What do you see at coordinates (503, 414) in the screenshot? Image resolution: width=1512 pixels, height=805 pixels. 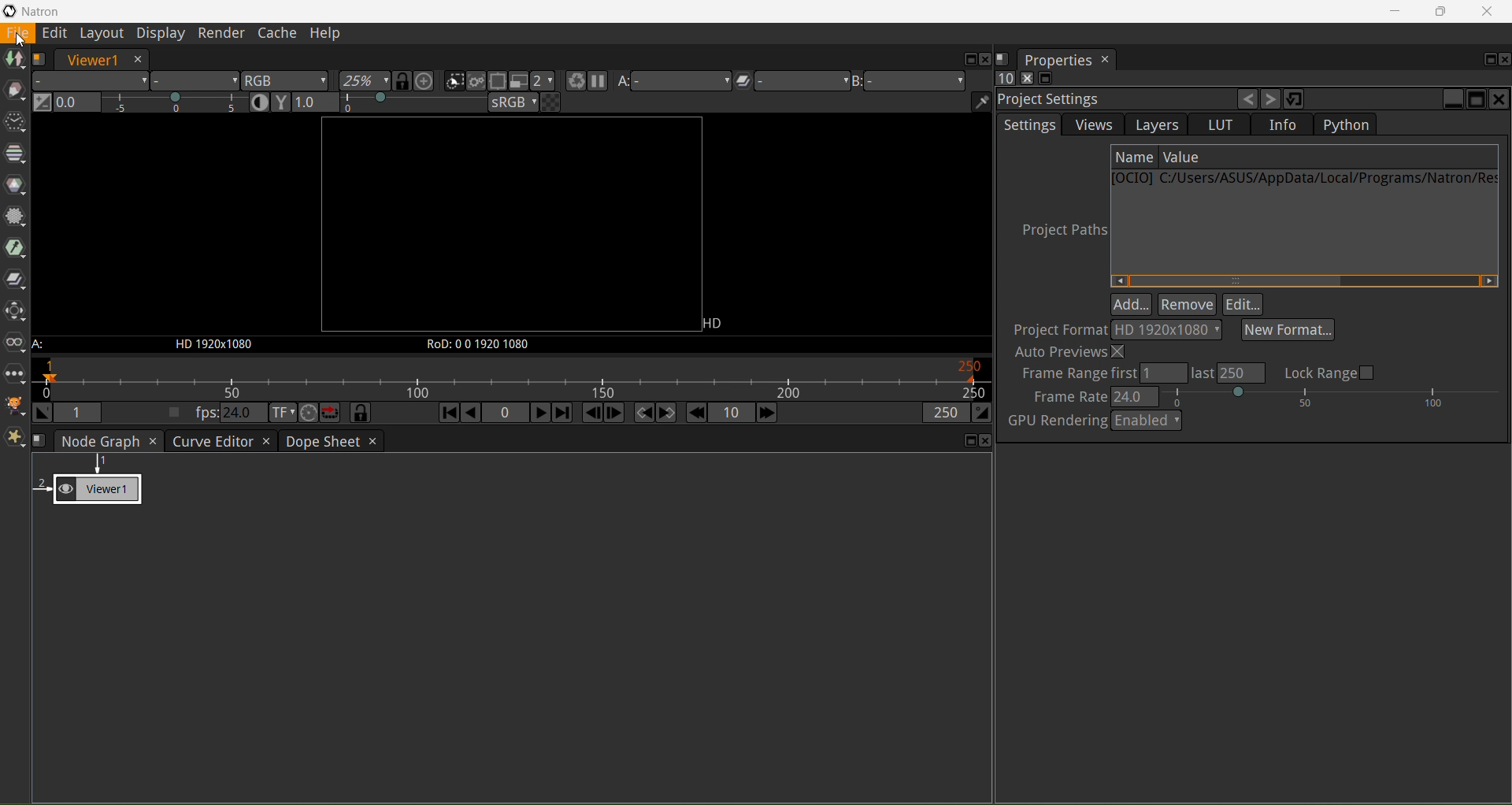 I see `Current frame number` at bounding box center [503, 414].